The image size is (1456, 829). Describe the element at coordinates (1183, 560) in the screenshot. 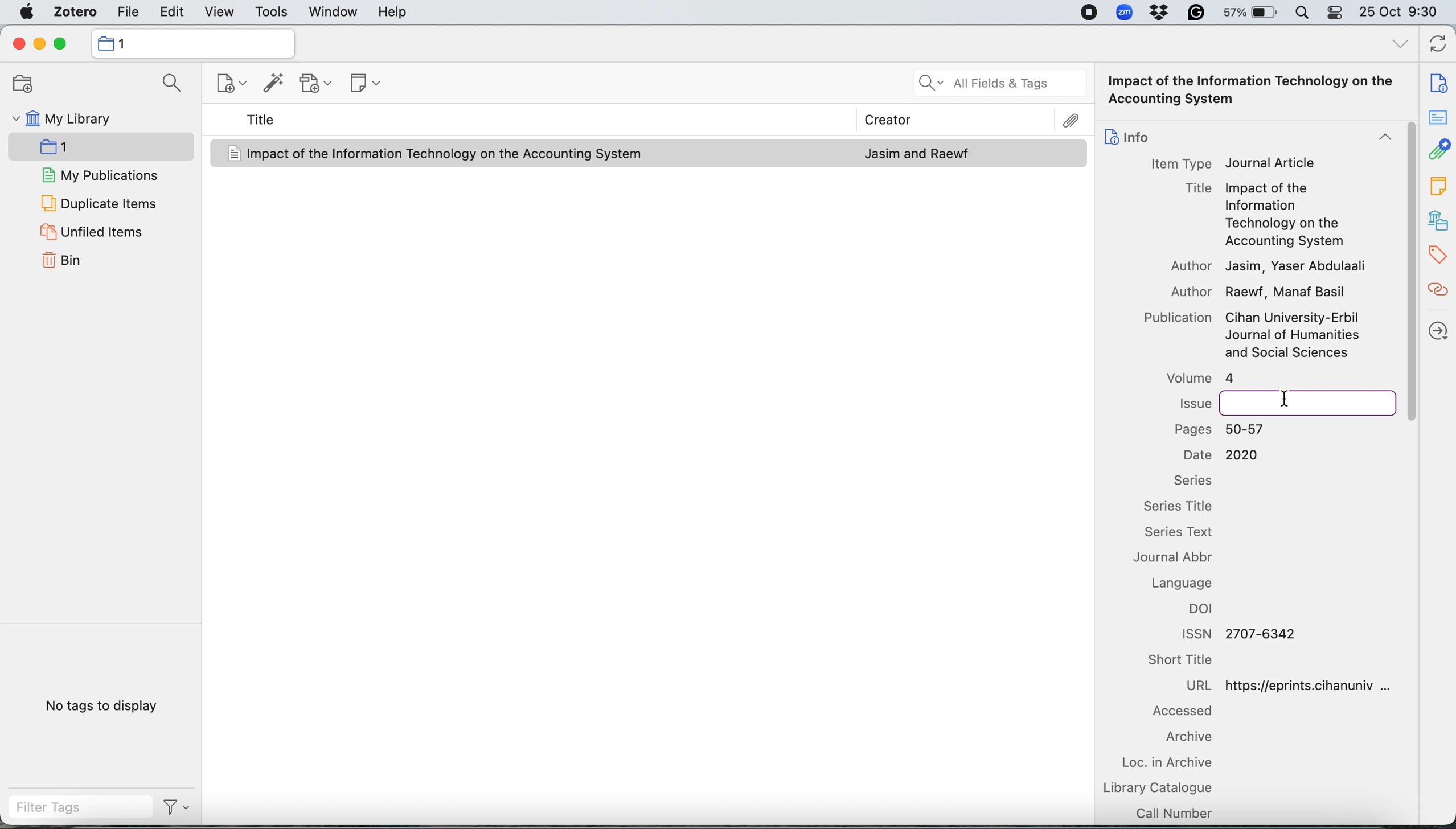

I see `journal abbr` at that location.